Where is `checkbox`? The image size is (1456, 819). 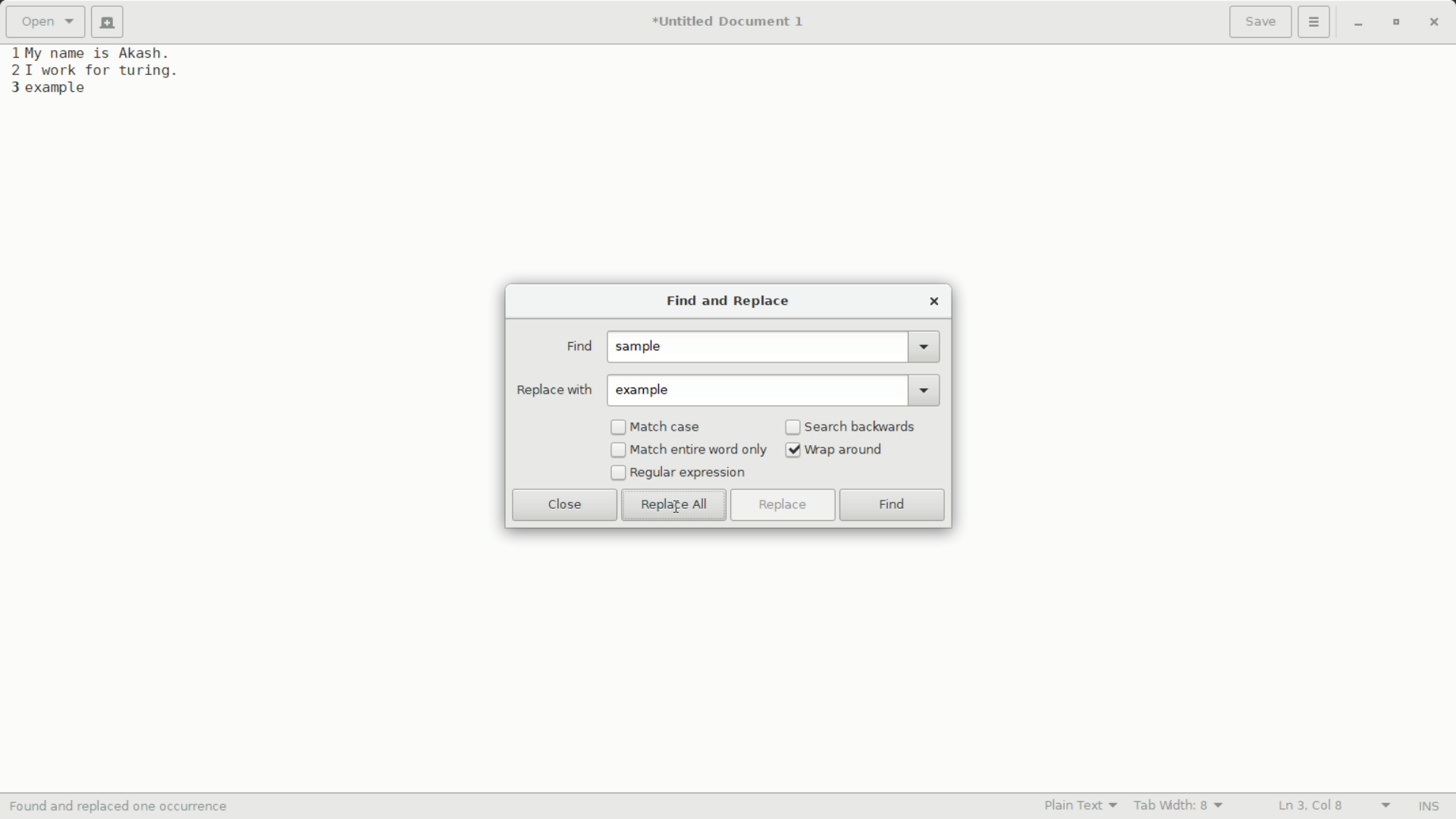 checkbox is located at coordinates (618, 428).